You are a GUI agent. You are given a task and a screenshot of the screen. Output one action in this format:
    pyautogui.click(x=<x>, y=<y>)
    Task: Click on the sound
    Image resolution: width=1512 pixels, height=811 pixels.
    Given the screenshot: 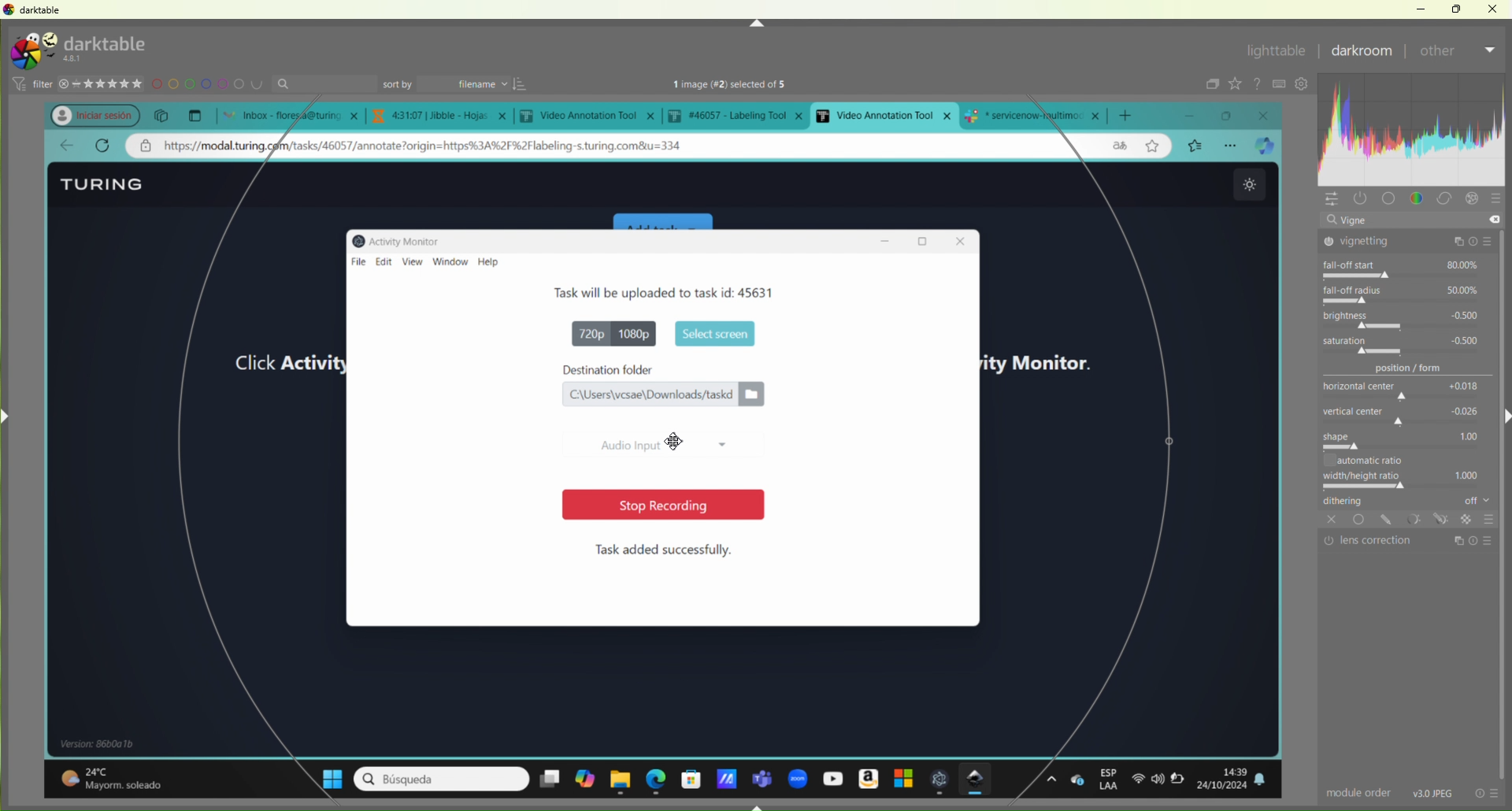 What is the action you would take?
    pyautogui.click(x=1158, y=780)
    